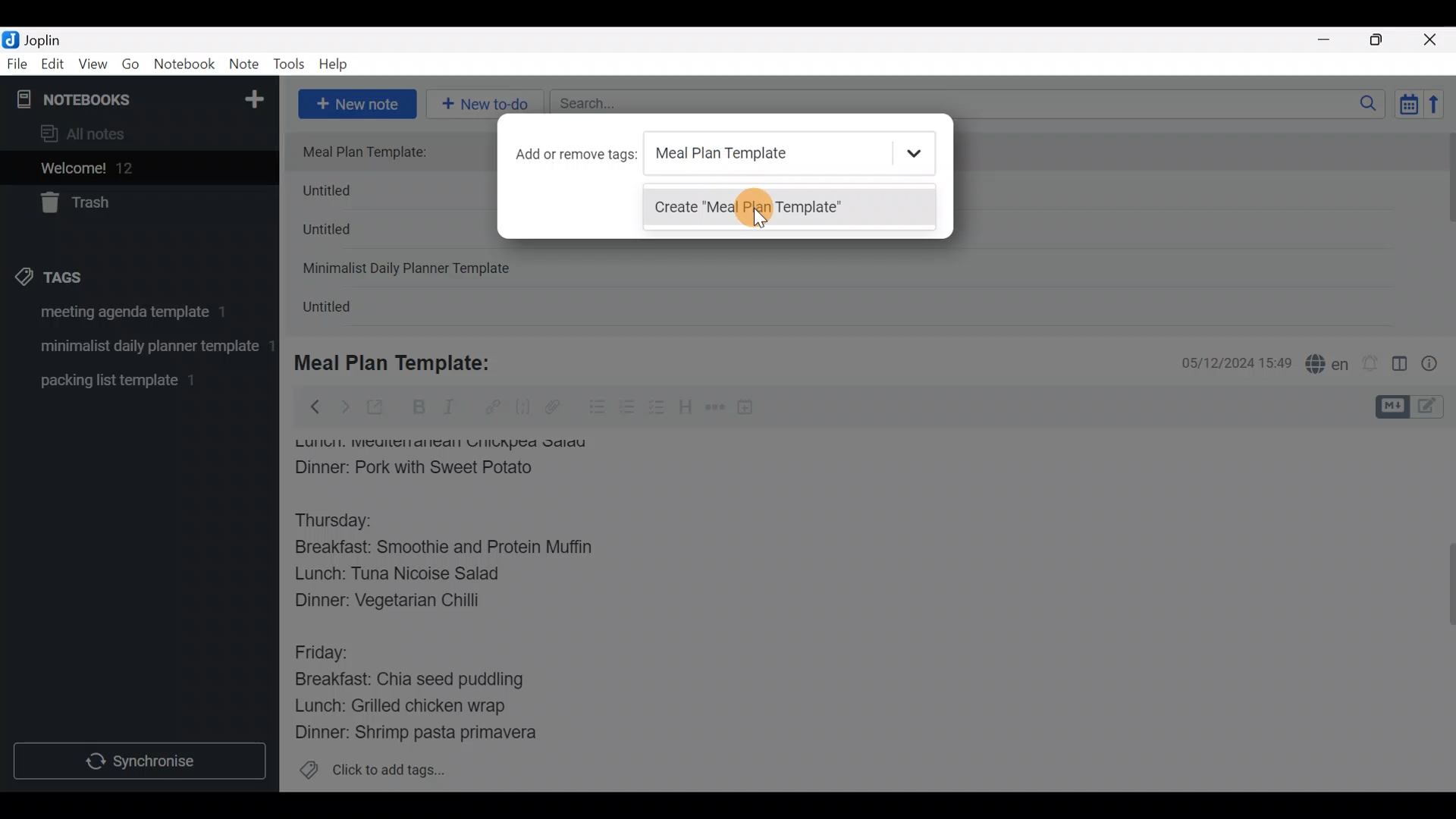  What do you see at coordinates (326, 651) in the screenshot?
I see `Friday:` at bounding box center [326, 651].